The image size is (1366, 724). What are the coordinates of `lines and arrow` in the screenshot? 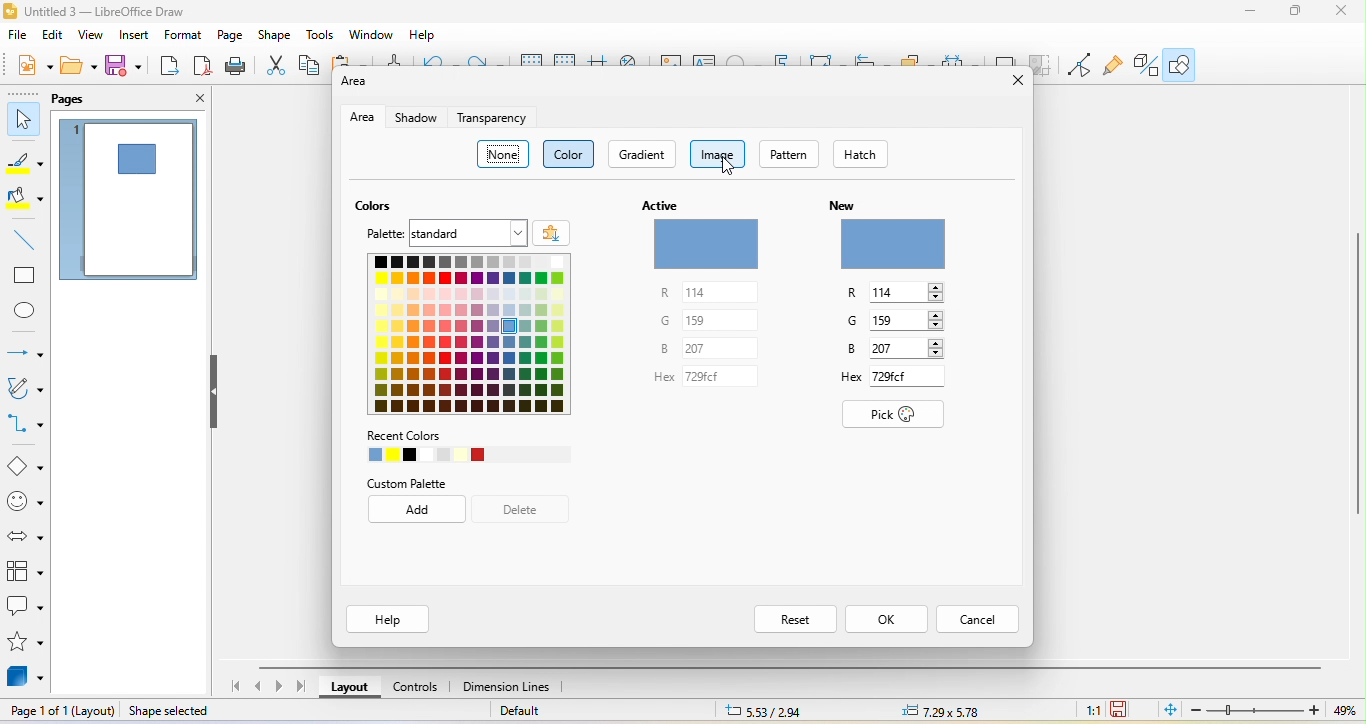 It's located at (25, 348).